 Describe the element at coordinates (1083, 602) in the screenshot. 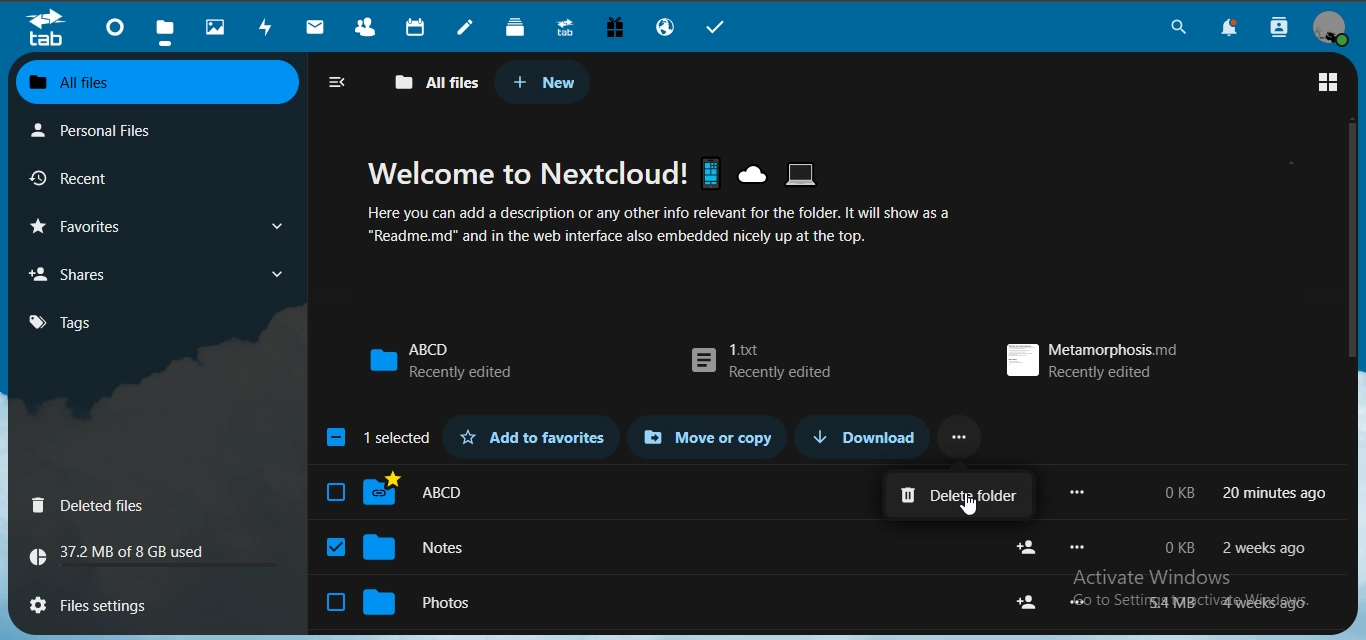

I see `more options` at that location.